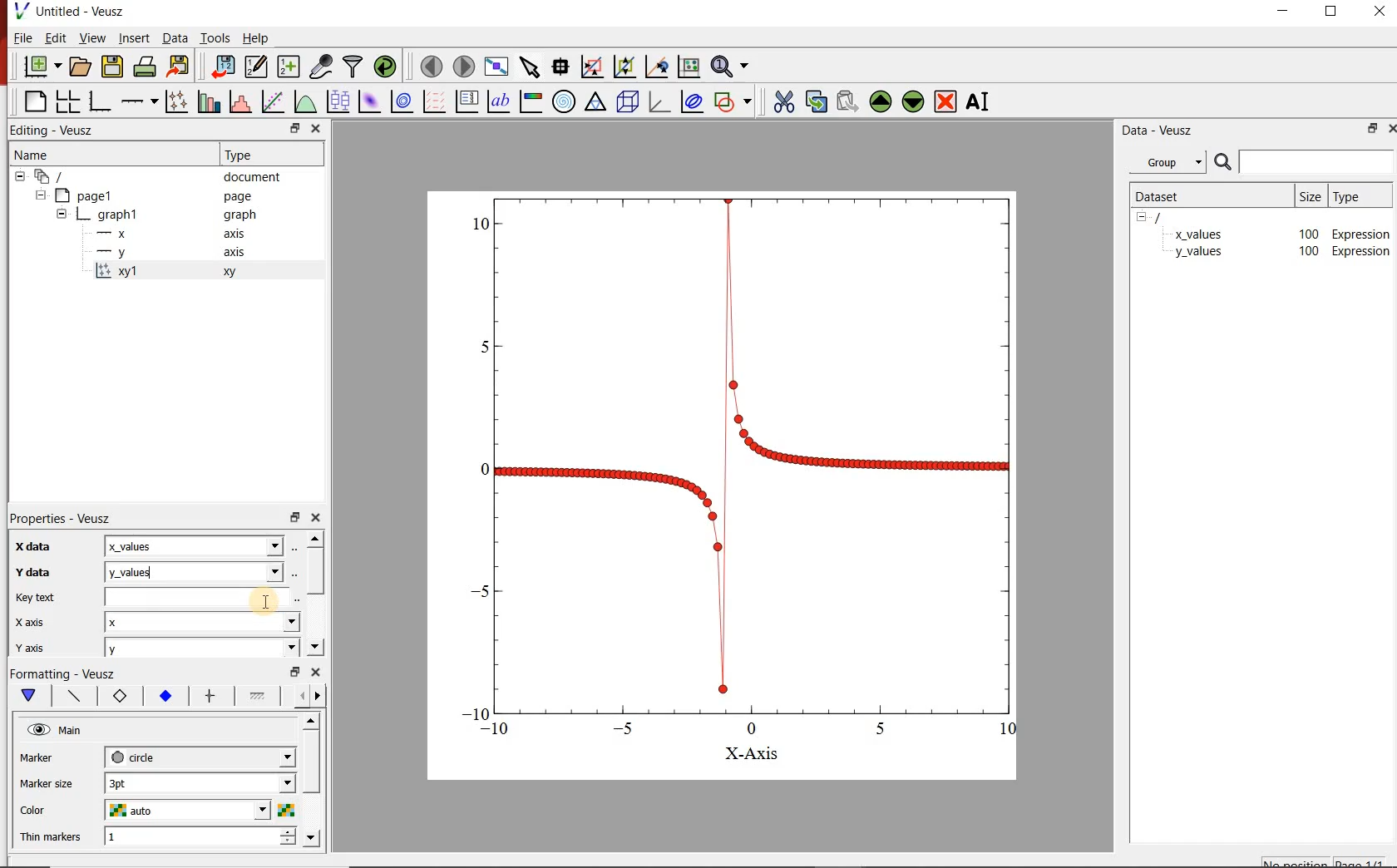  What do you see at coordinates (100, 103) in the screenshot?
I see `bar graph` at bounding box center [100, 103].